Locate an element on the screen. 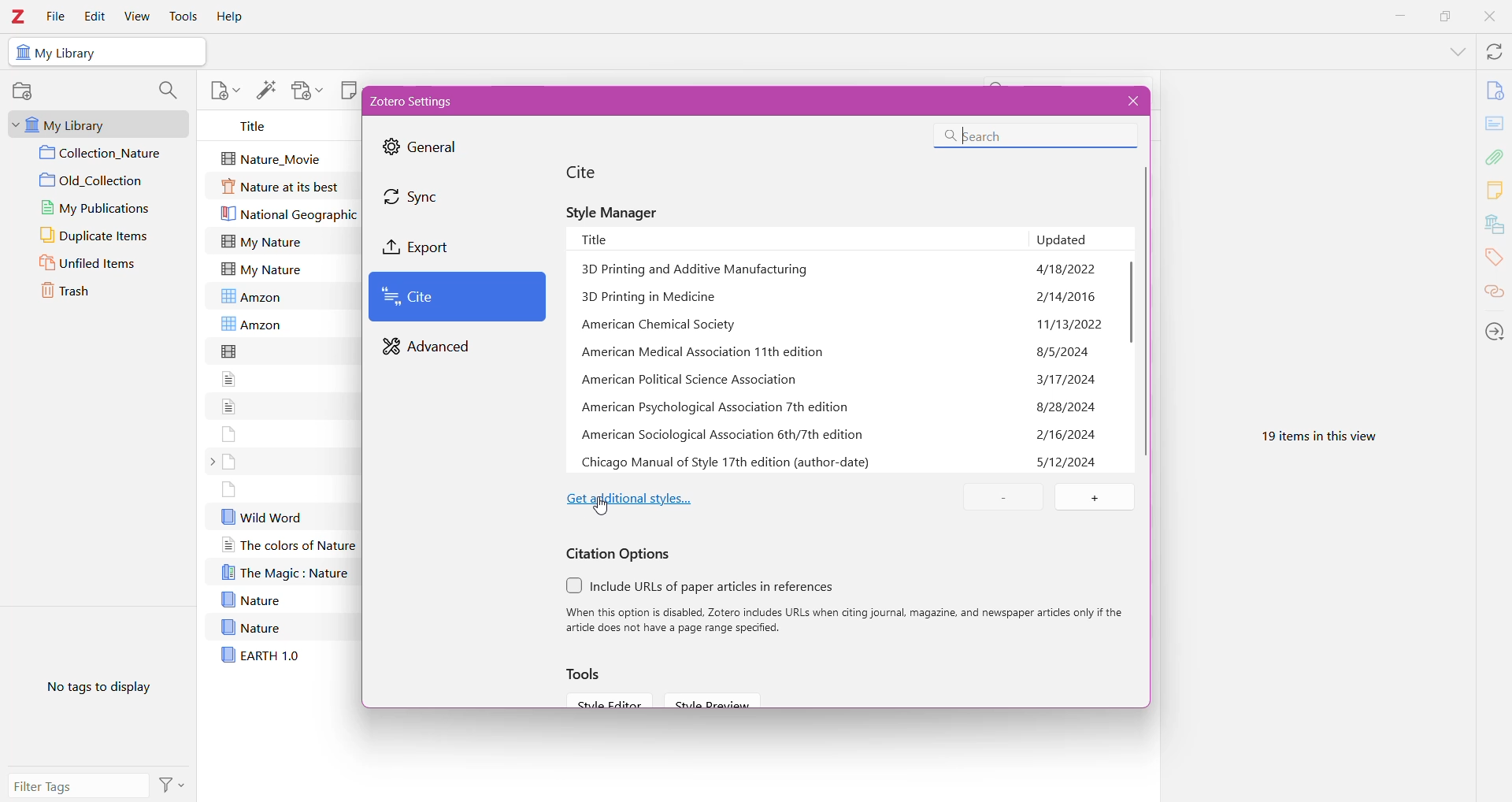  19 items in this view is located at coordinates (1314, 433).